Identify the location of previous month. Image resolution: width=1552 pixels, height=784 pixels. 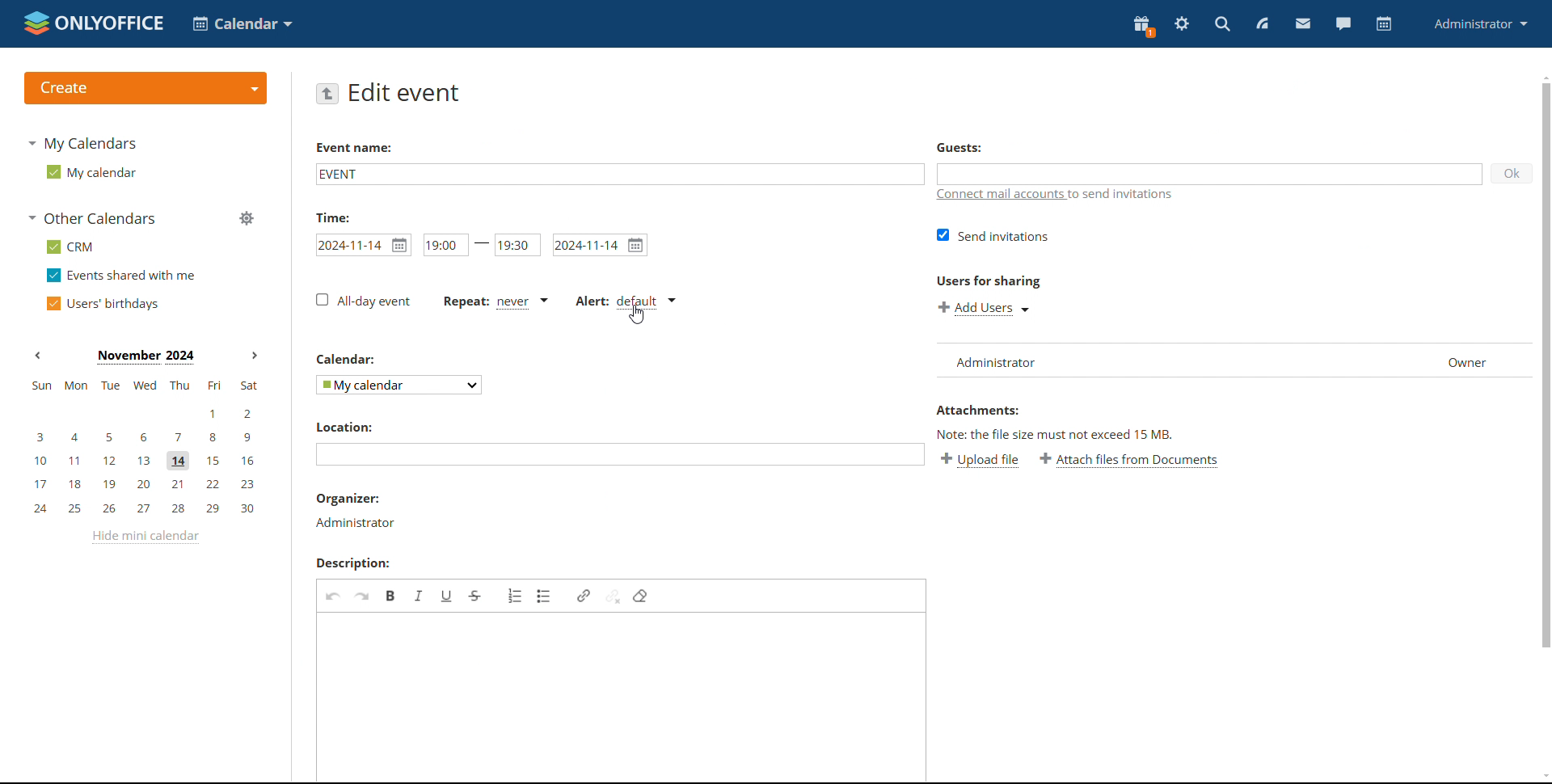
(38, 355).